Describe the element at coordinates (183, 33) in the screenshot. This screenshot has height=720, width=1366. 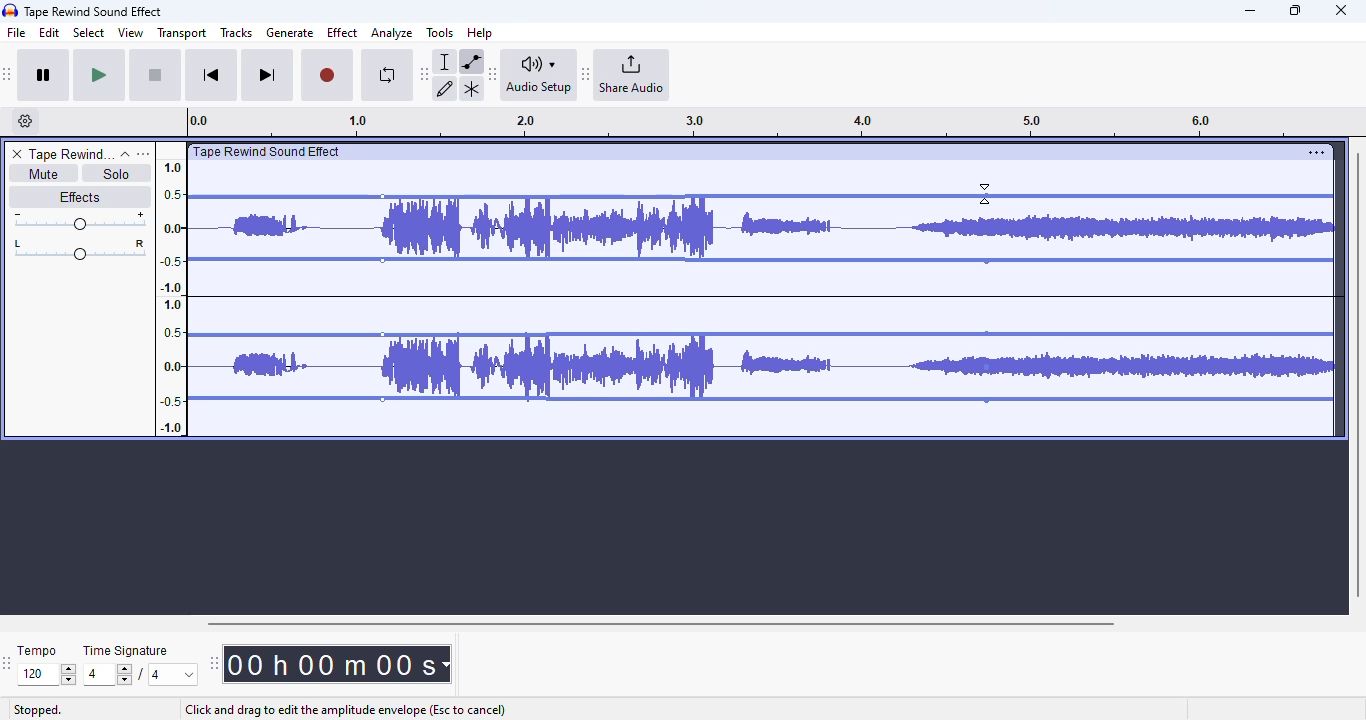
I see `transport` at that location.